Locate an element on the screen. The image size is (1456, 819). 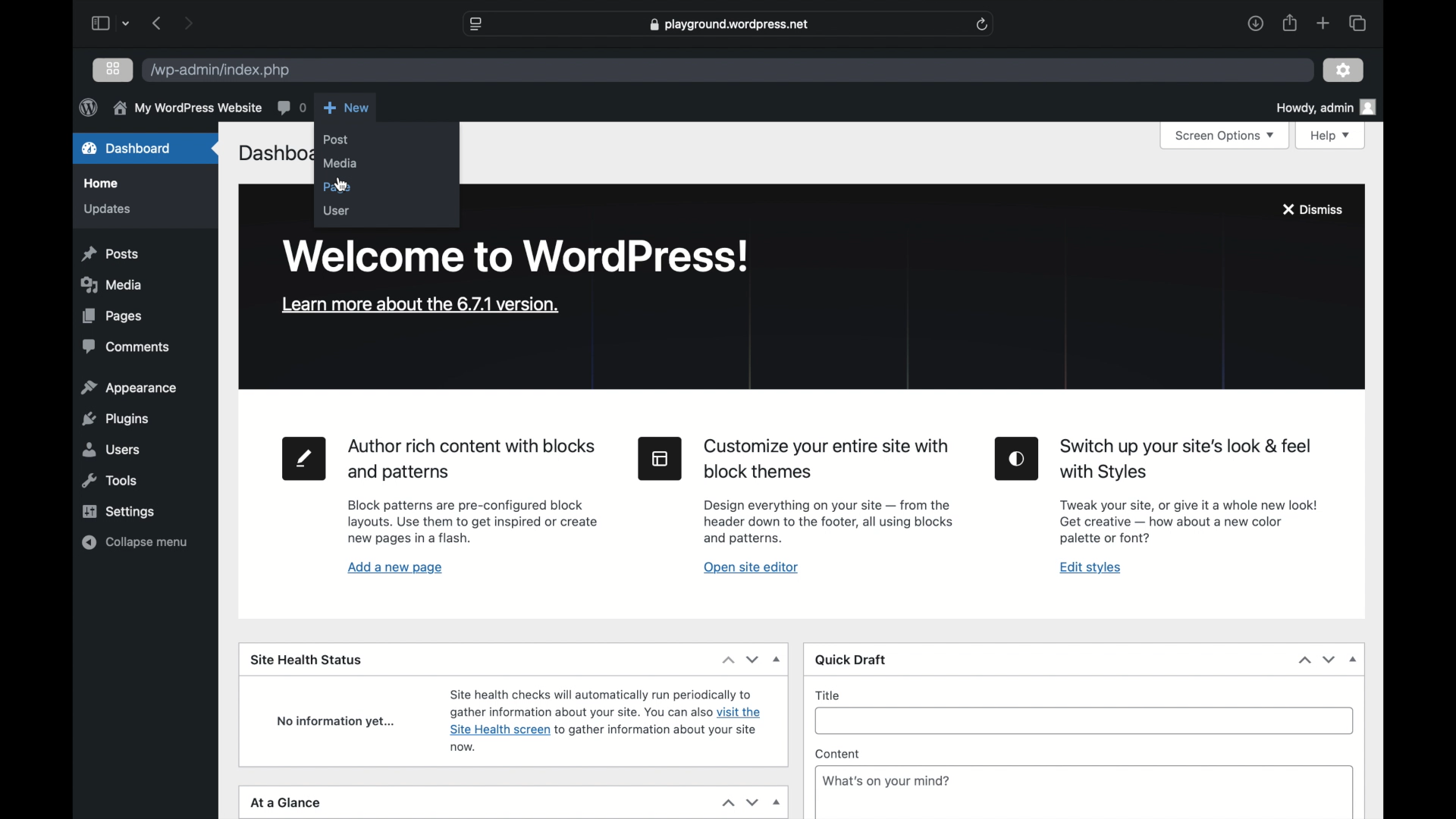
dropdown is located at coordinates (127, 25).